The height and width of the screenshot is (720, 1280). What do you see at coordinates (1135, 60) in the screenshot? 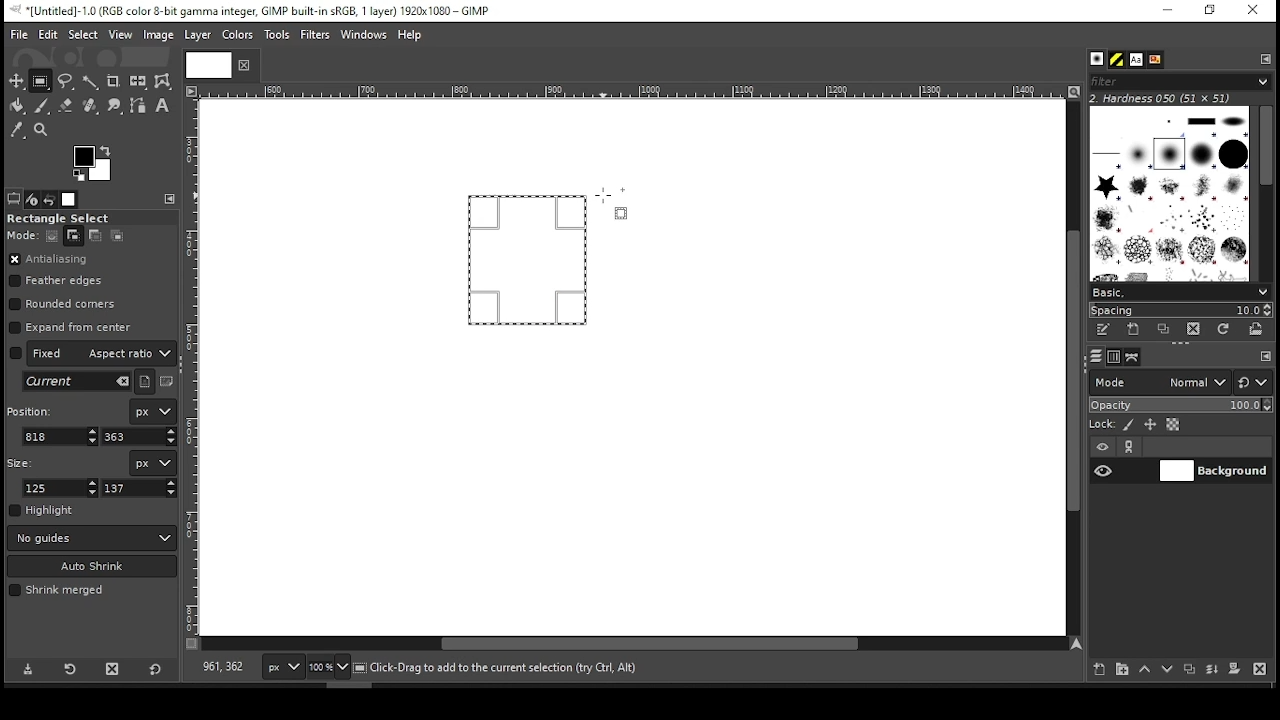
I see `font` at bounding box center [1135, 60].